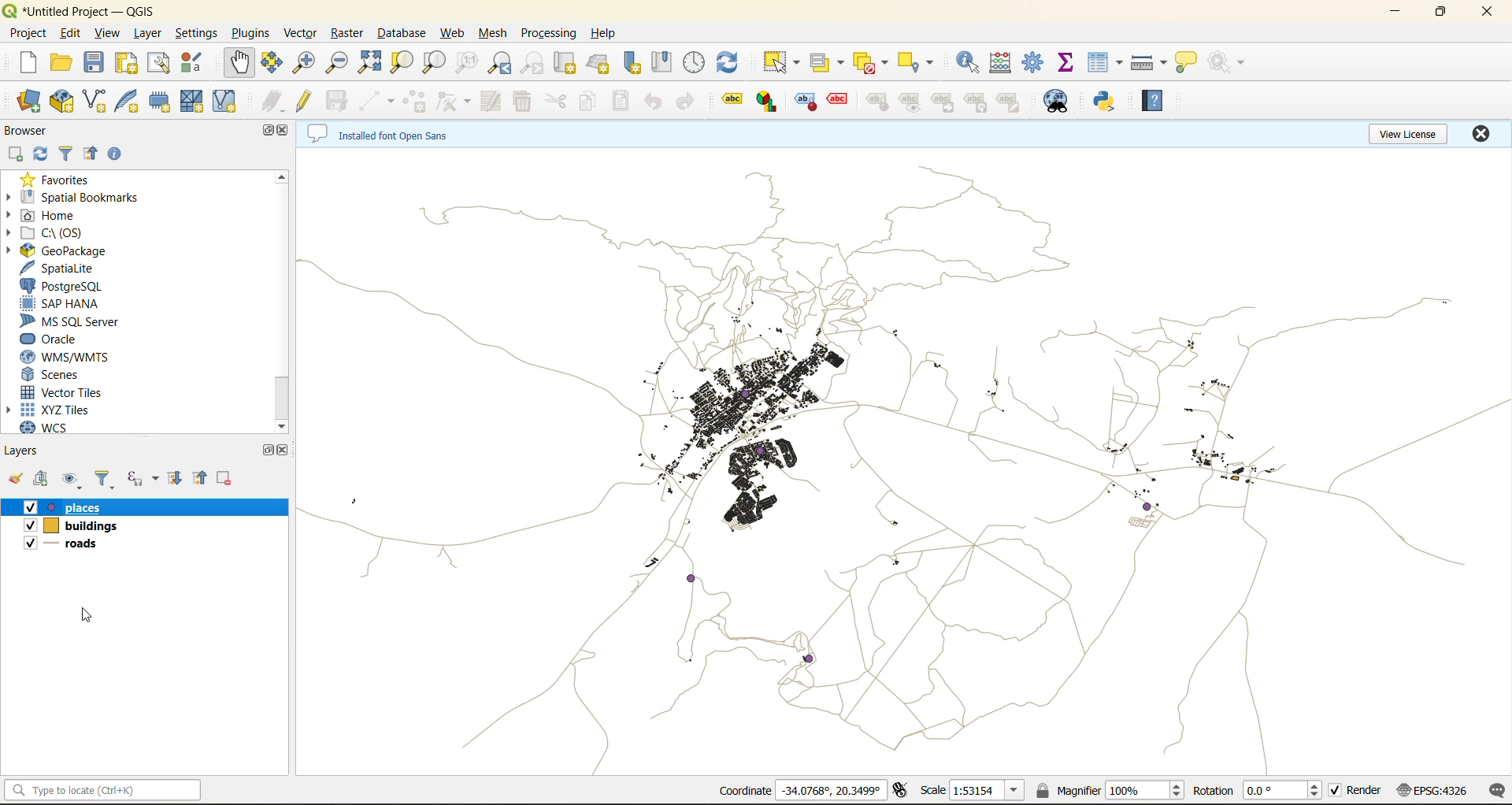 The image size is (1512, 805). Describe the element at coordinates (377, 102) in the screenshot. I see `digitize` at that location.